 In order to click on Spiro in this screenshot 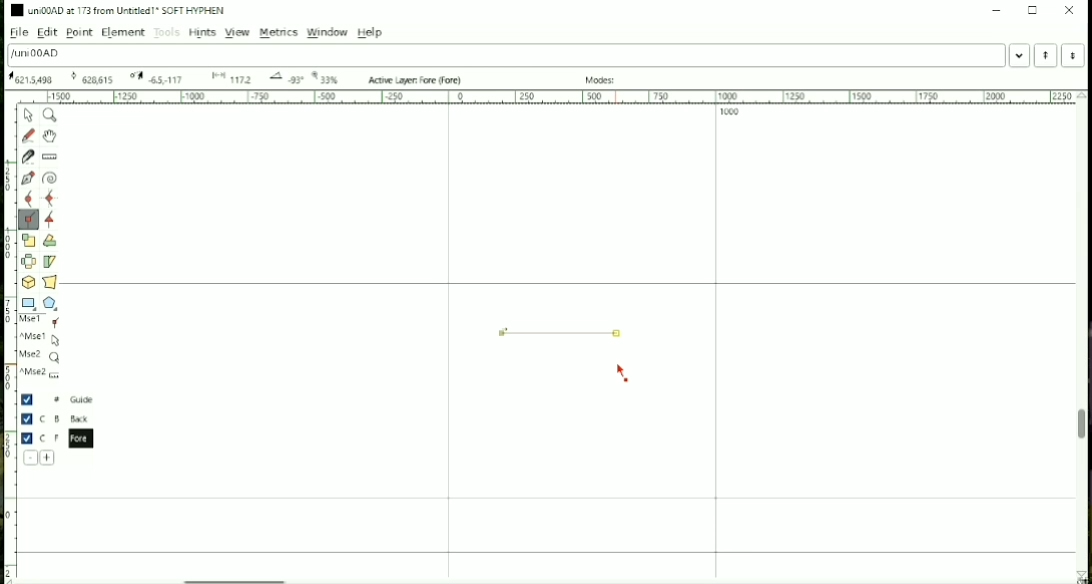, I will do `click(51, 178)`.